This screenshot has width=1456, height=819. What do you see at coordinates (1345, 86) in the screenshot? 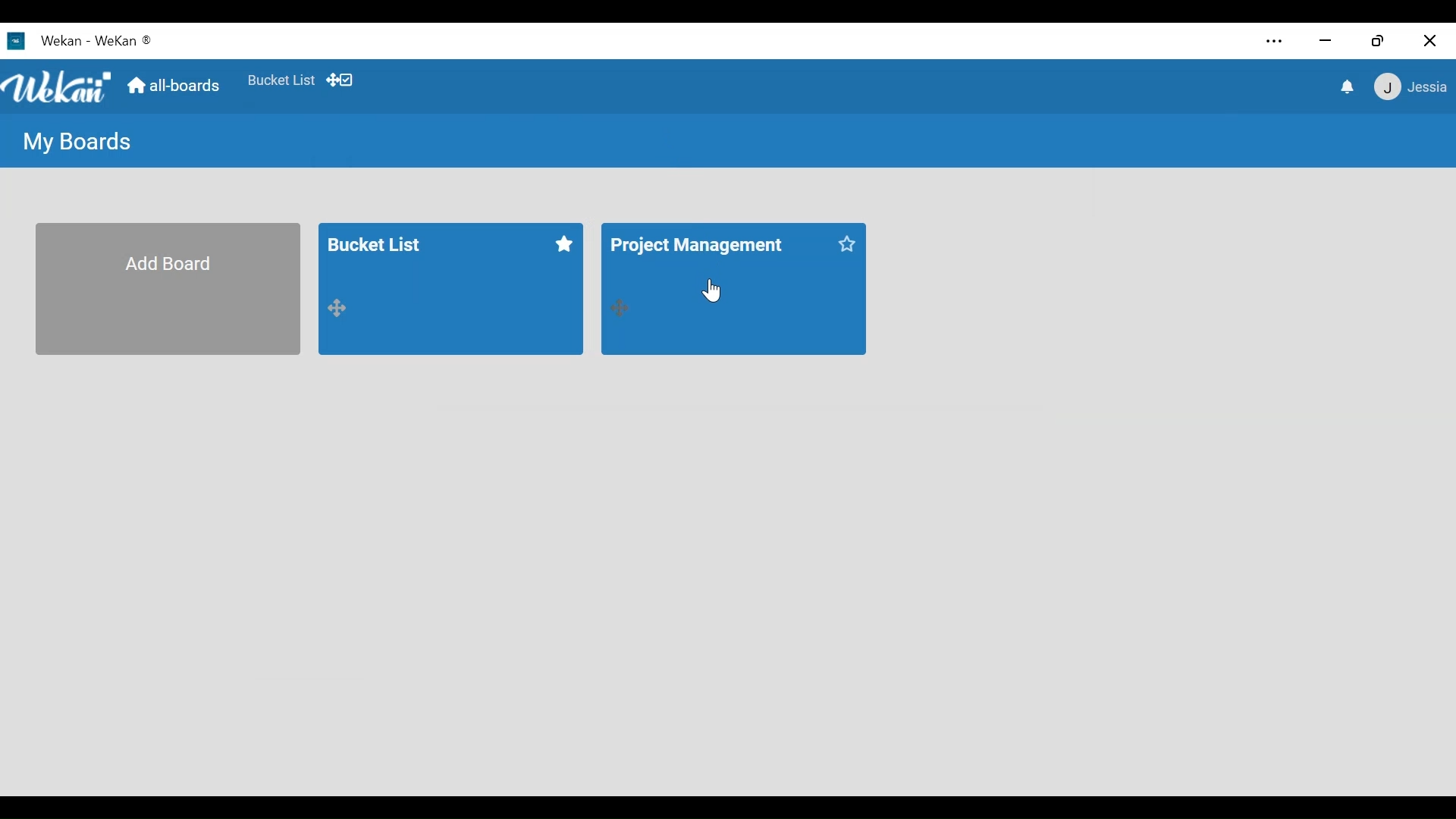
I see `notifications` at bounding box center [1345, 86].